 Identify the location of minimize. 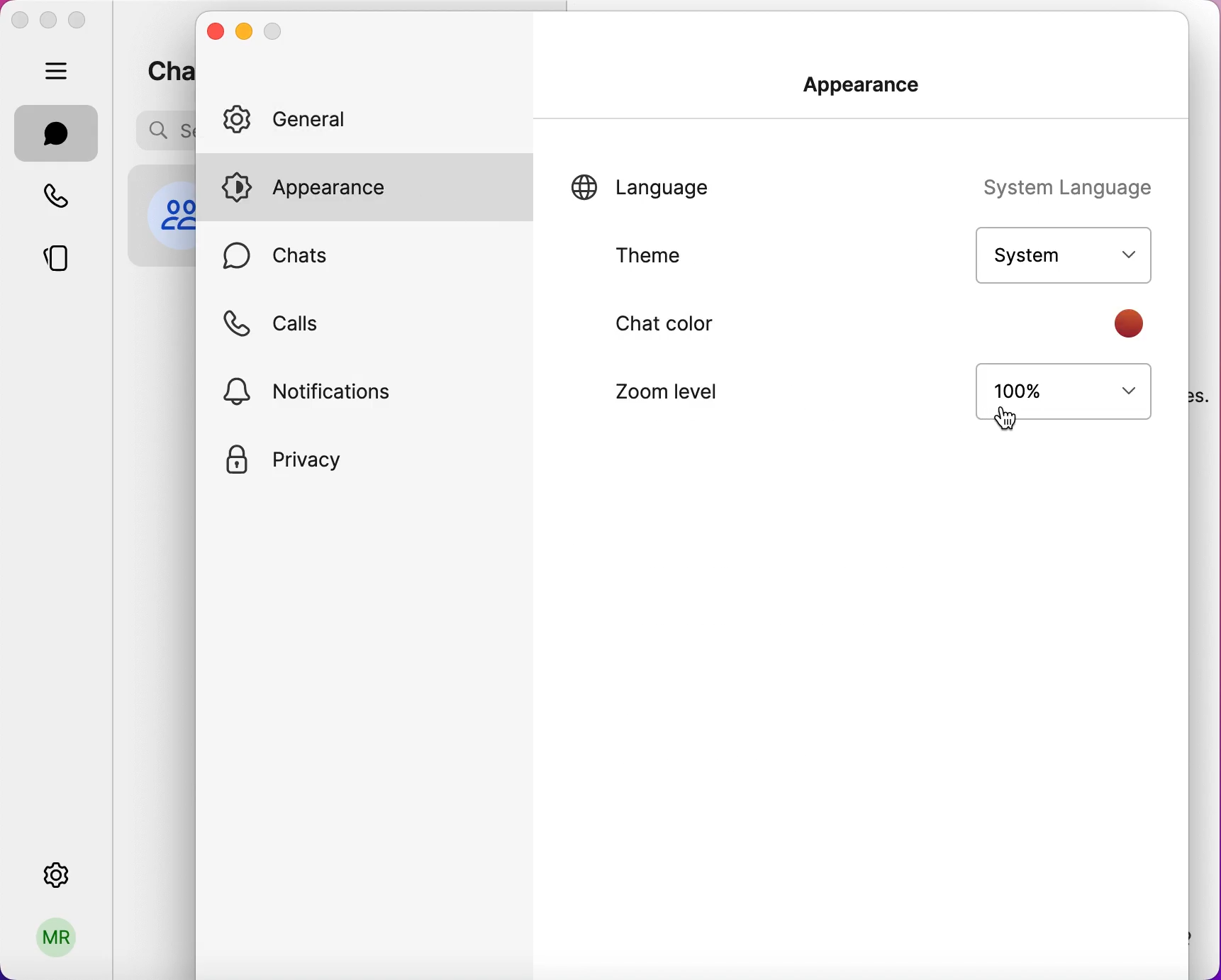
(246, 31).